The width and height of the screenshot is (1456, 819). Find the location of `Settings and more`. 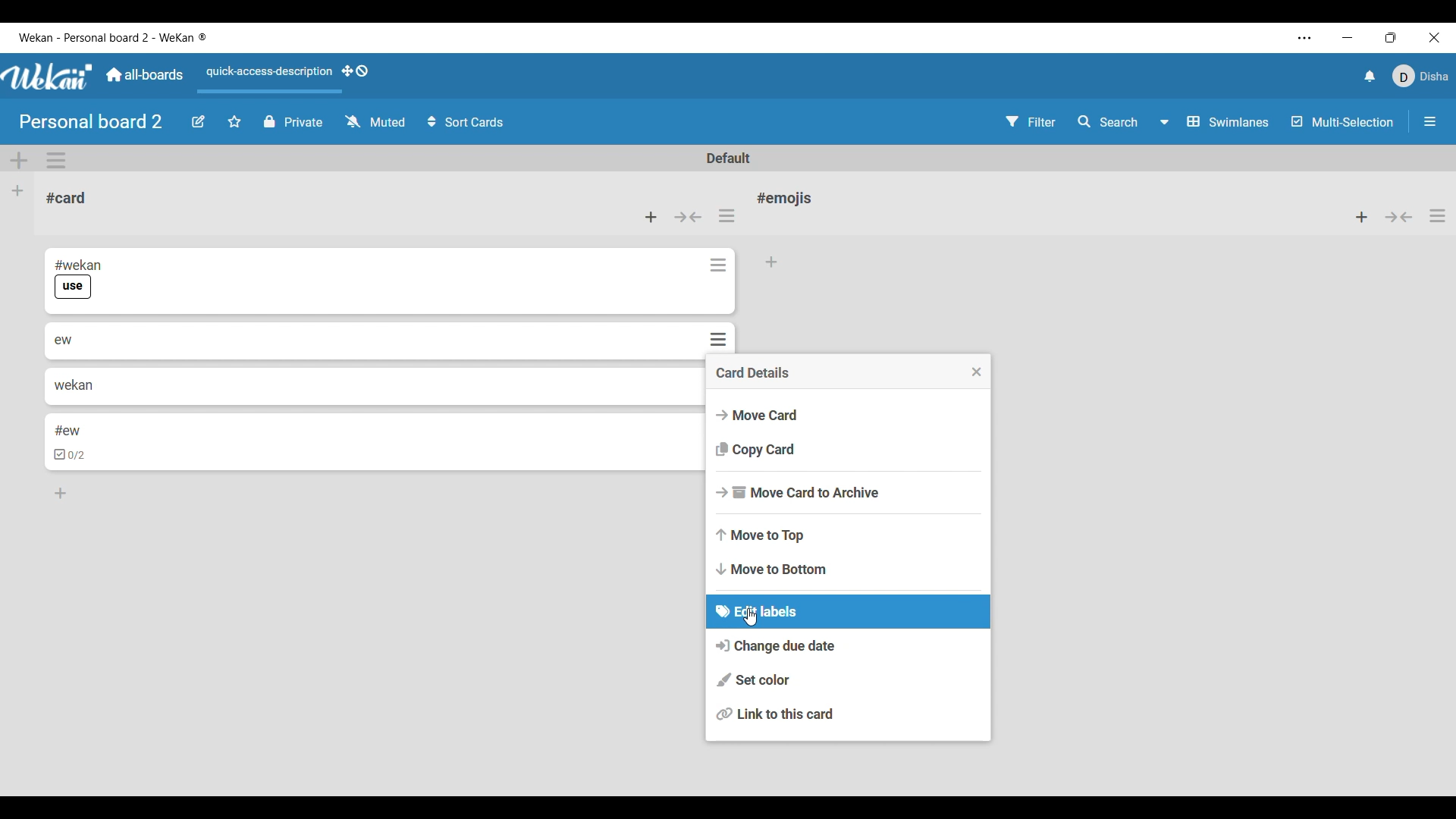

Settings and more is located at coordinates (1305, 38).